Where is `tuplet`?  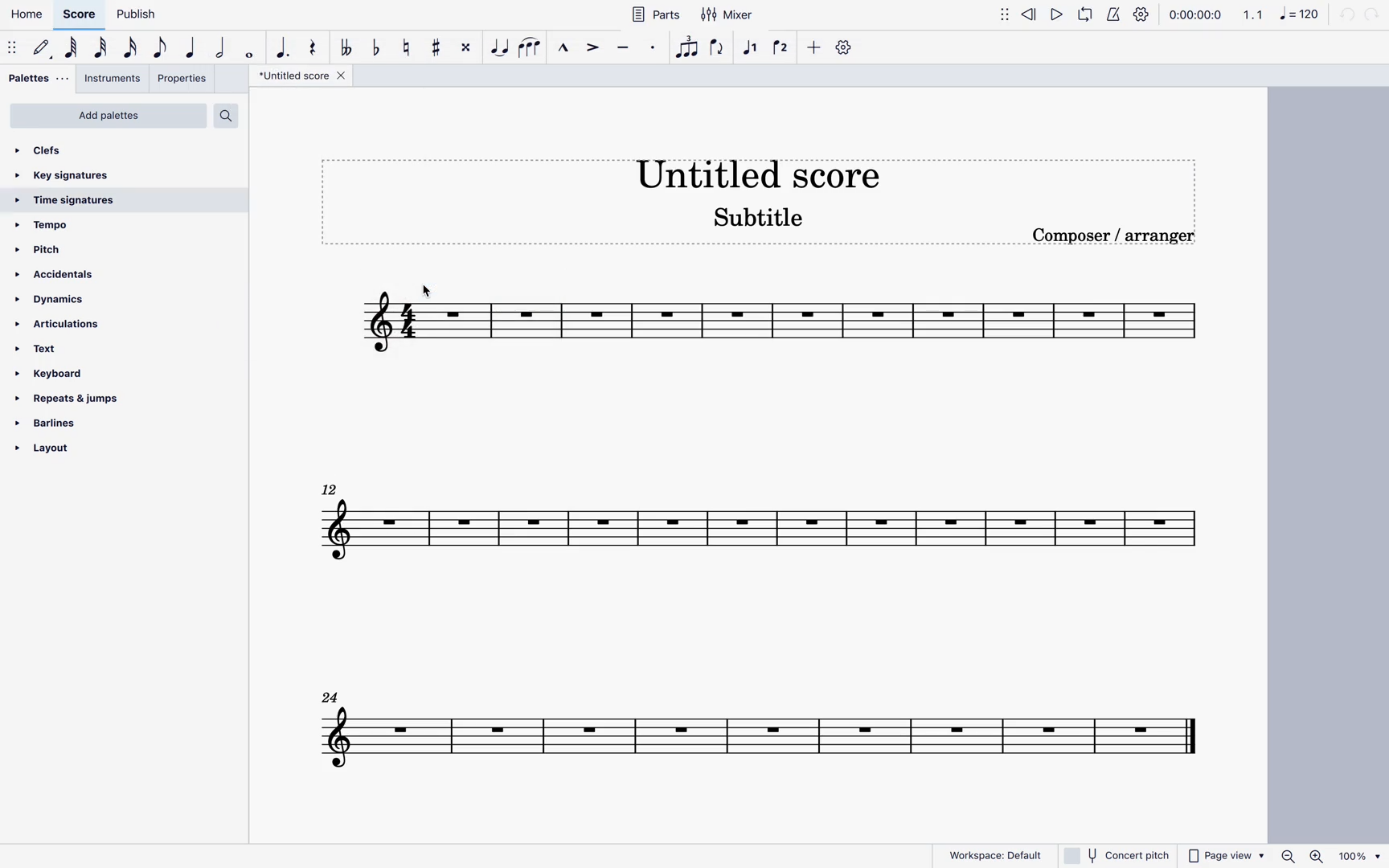 tuplet is located at coordinates (683, 48).